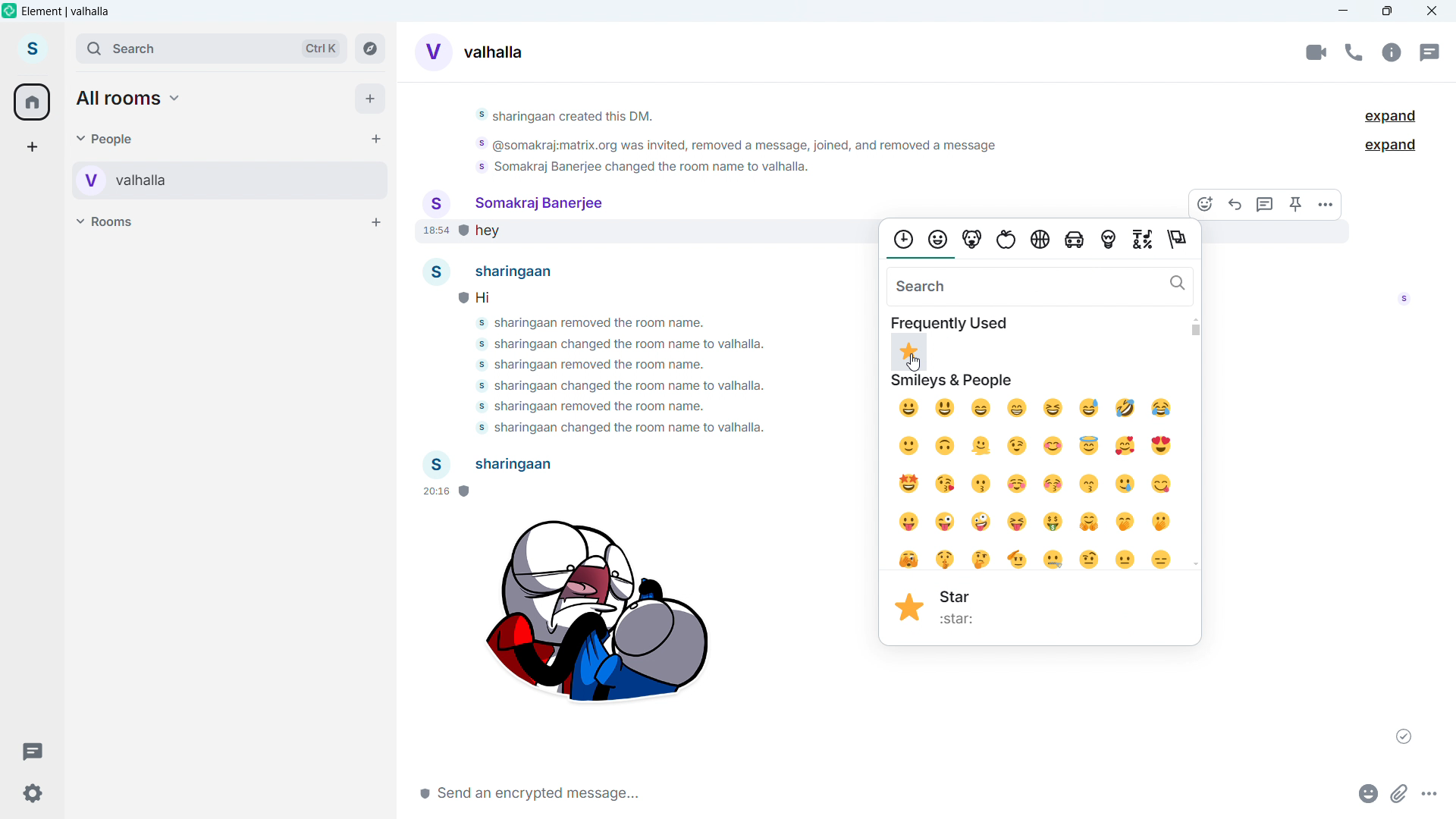  Describe the element at coordinates (30, 792) in the screenshot. I see `Settings` at that location.